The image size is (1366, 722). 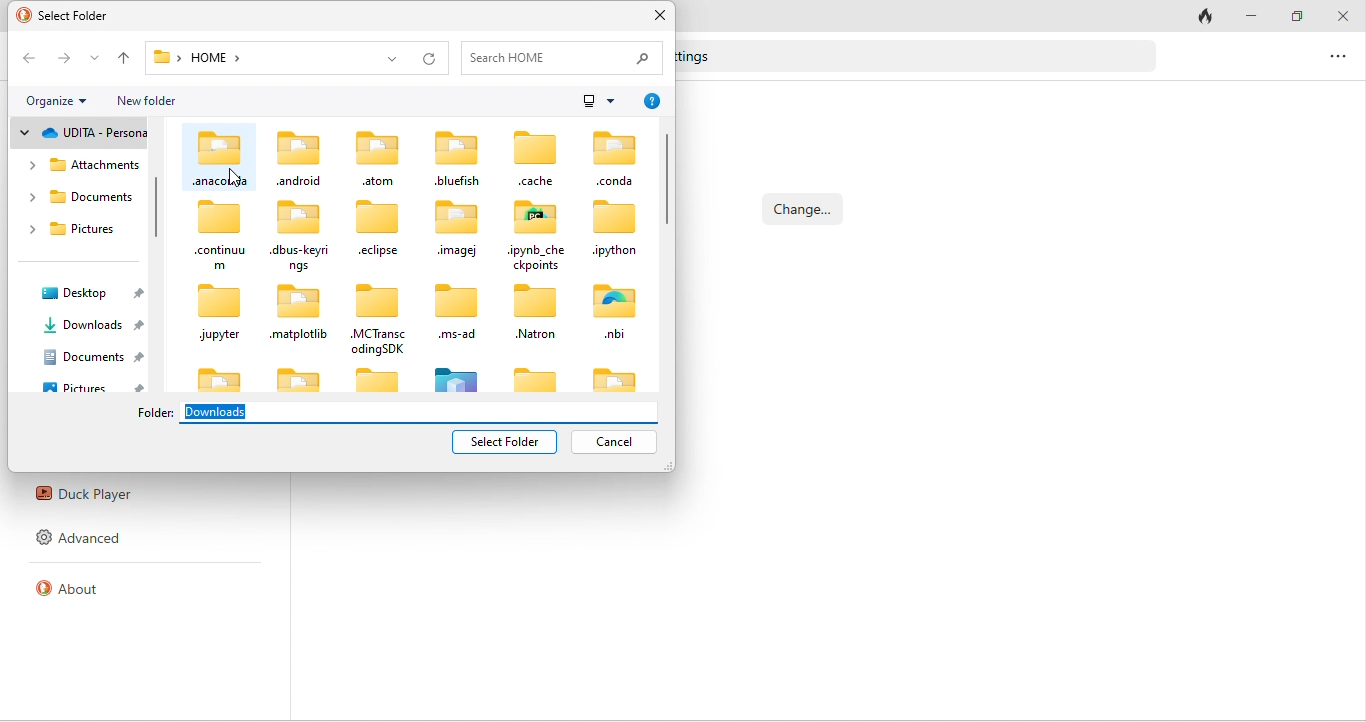 I want to click on .Natron, so click(x=536, y=313).